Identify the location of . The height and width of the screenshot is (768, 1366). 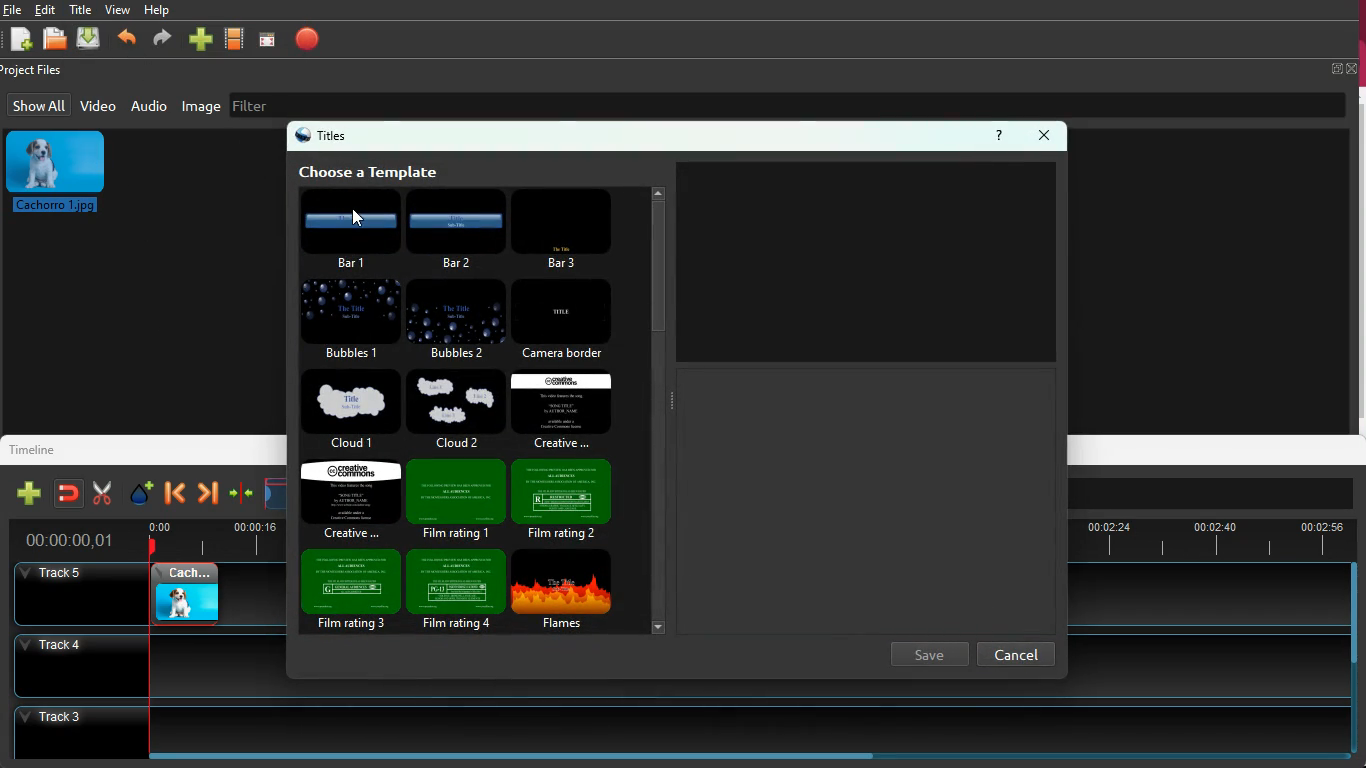
(71, 541).